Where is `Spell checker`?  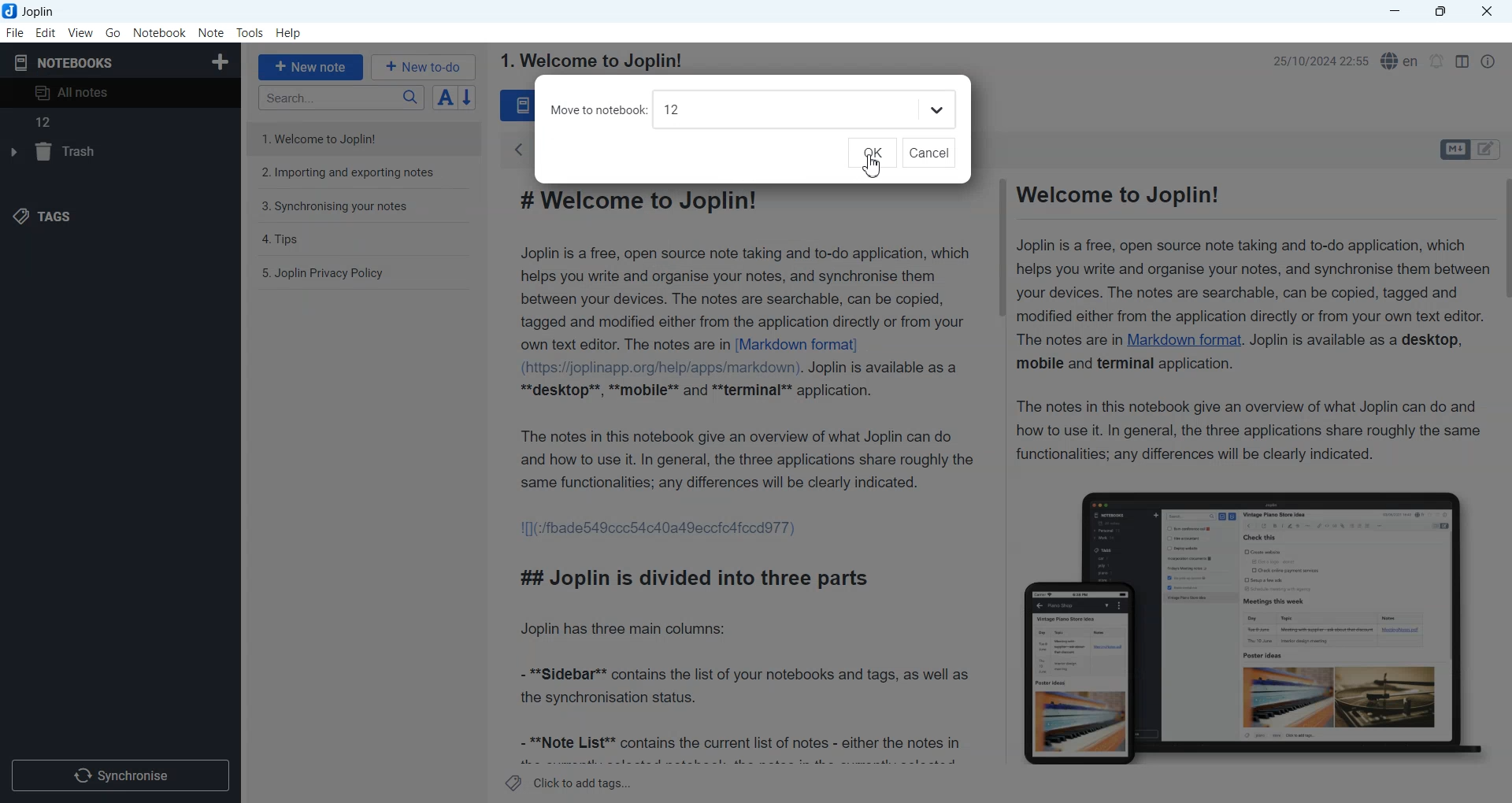
Spell checker is located at coordinates (1401, 61).